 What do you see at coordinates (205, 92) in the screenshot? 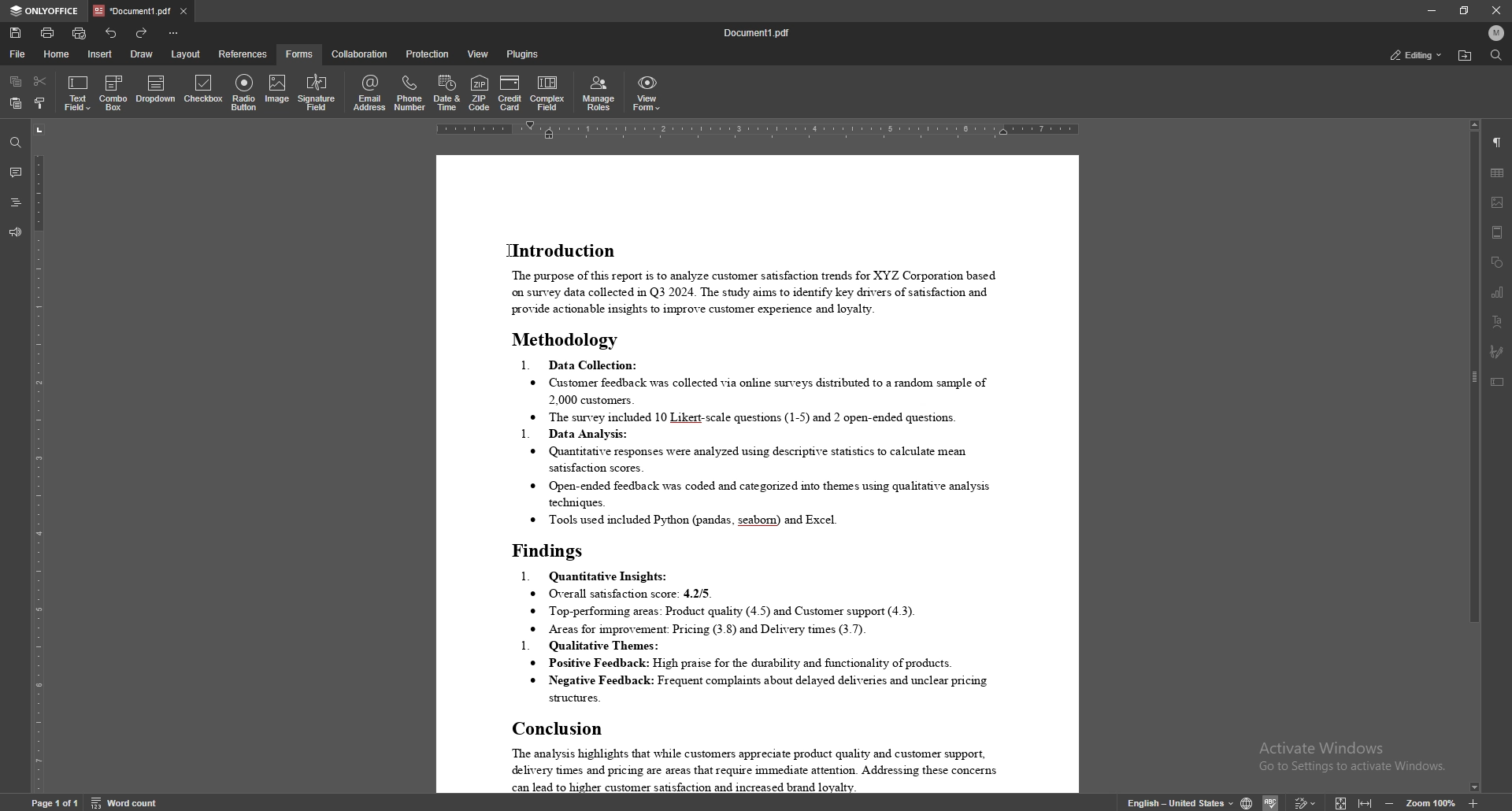
I see `checkbox` at bounding box center [205, 92].